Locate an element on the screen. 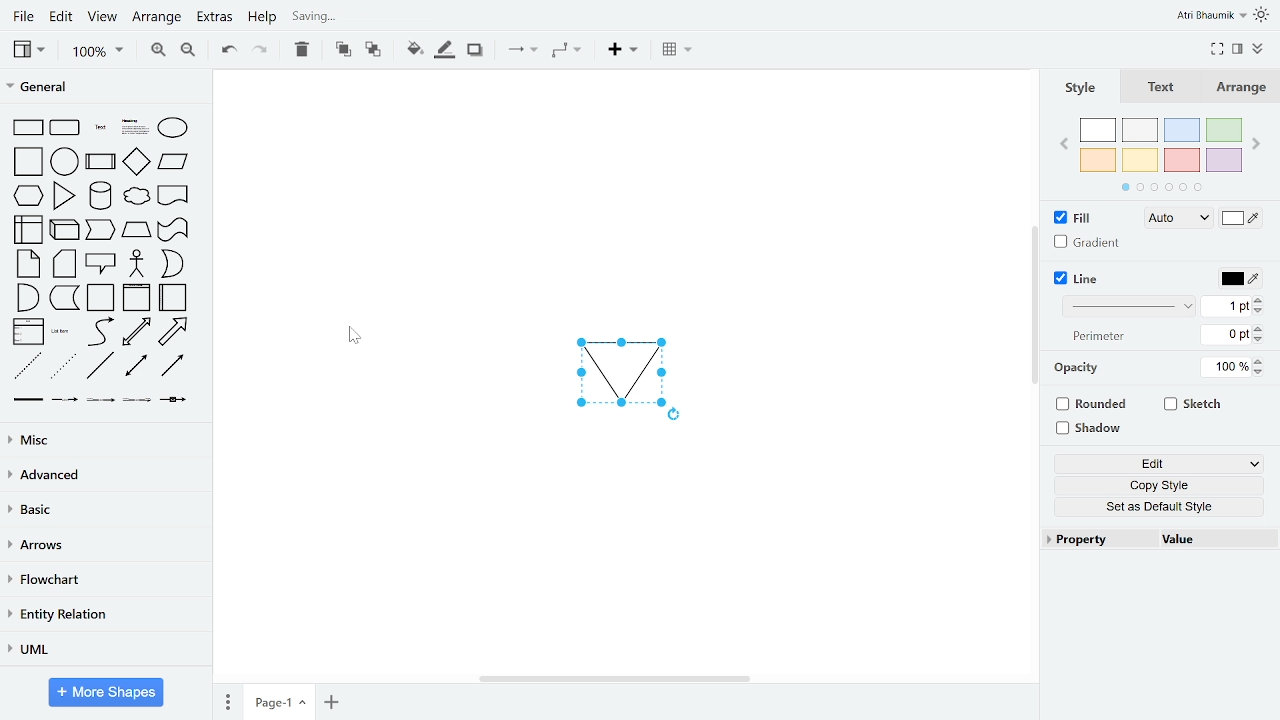 This screenshot has width=1280, height=720. cloud is located at coordinates (136, 196).